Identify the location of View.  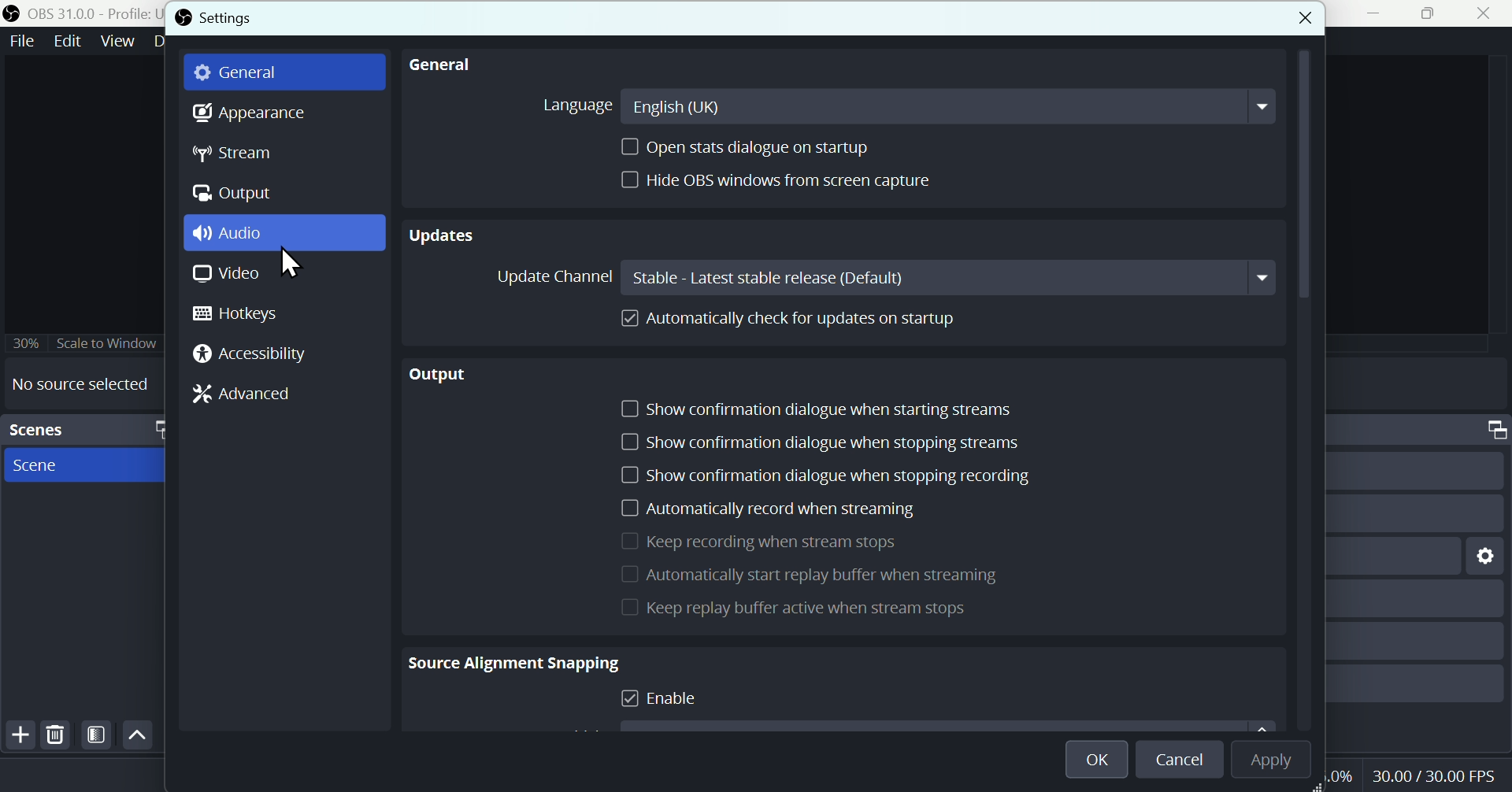
(120, 39).